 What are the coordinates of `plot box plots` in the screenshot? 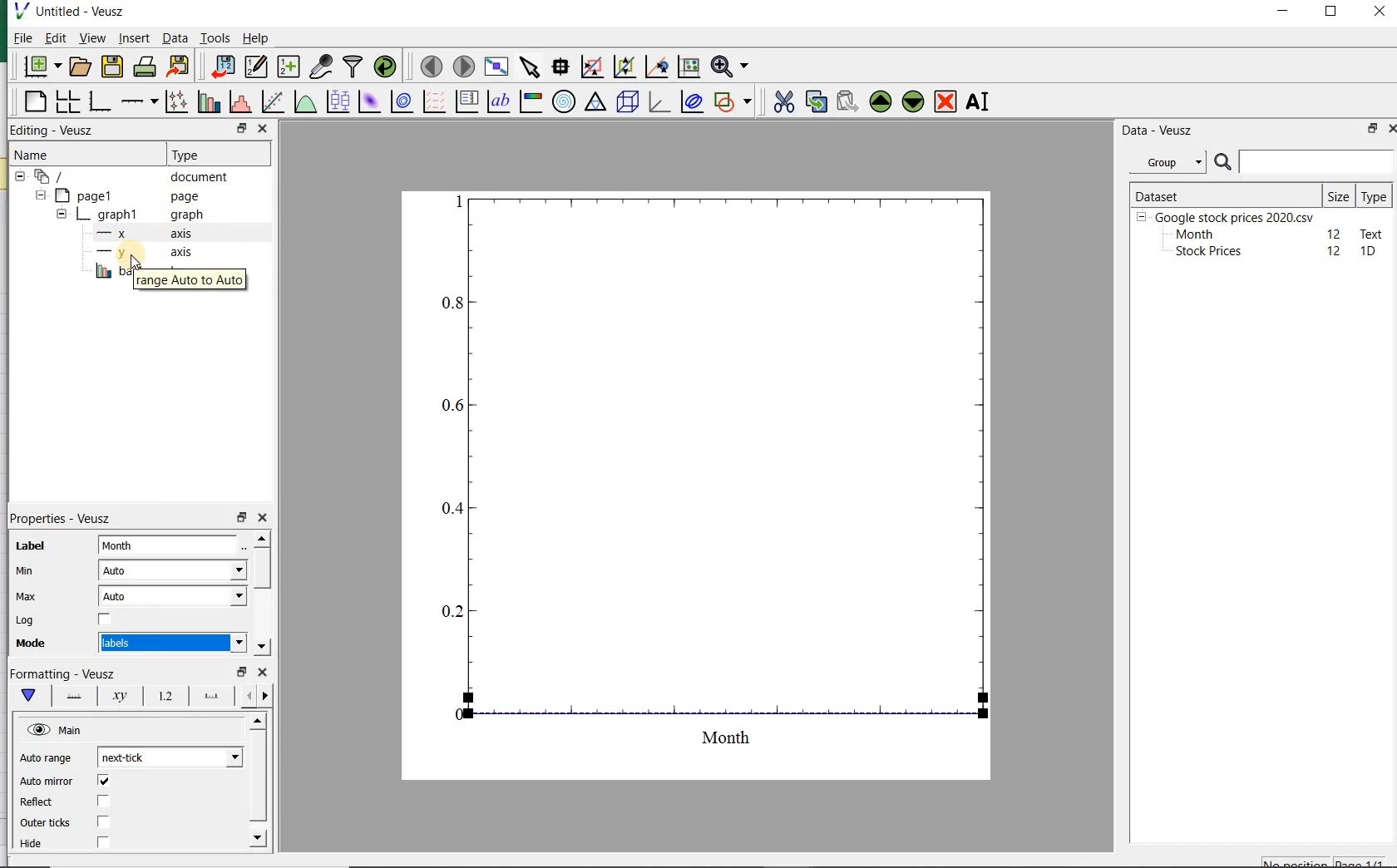 It's located at (335, 103).